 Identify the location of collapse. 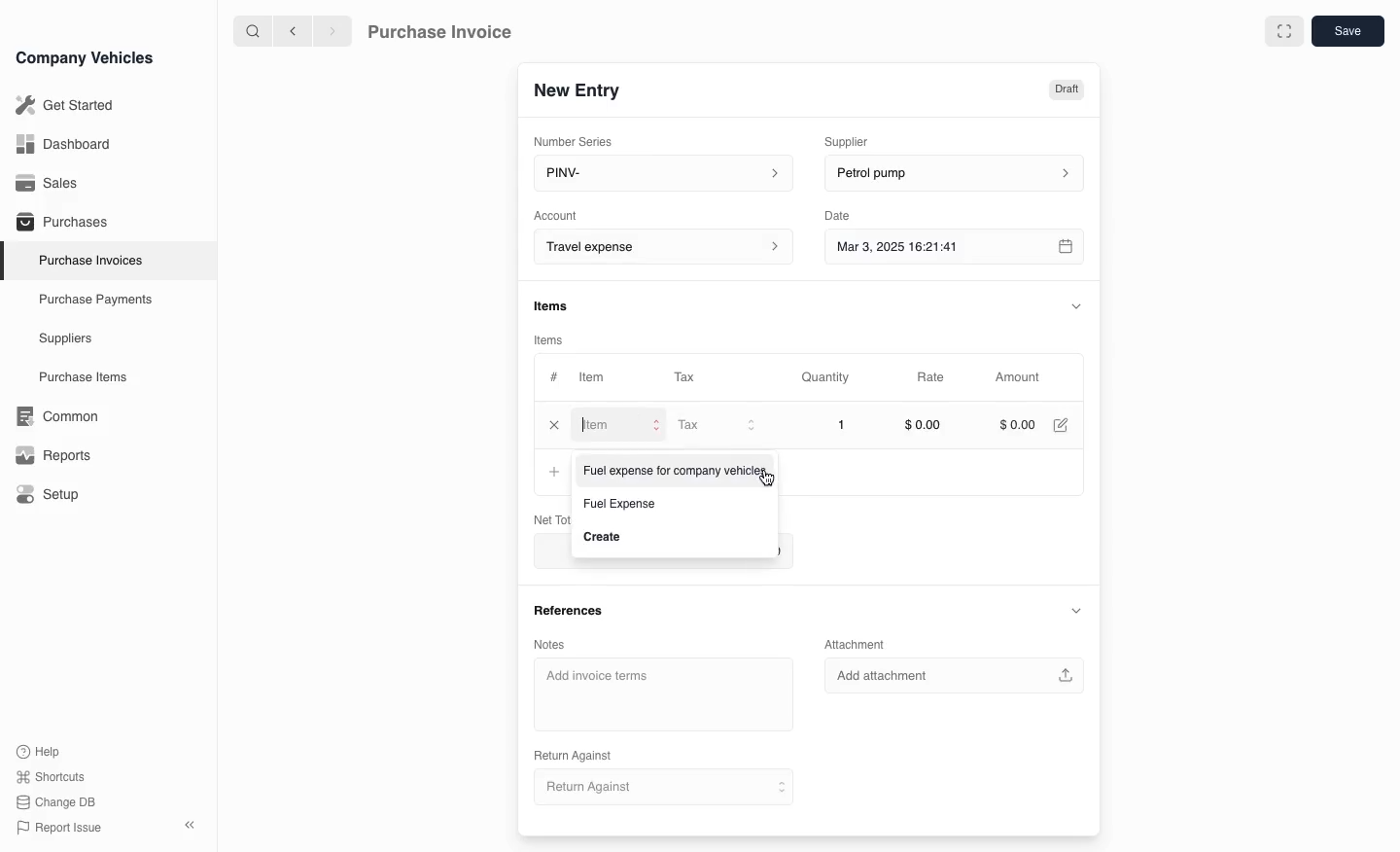
(1077, 304).